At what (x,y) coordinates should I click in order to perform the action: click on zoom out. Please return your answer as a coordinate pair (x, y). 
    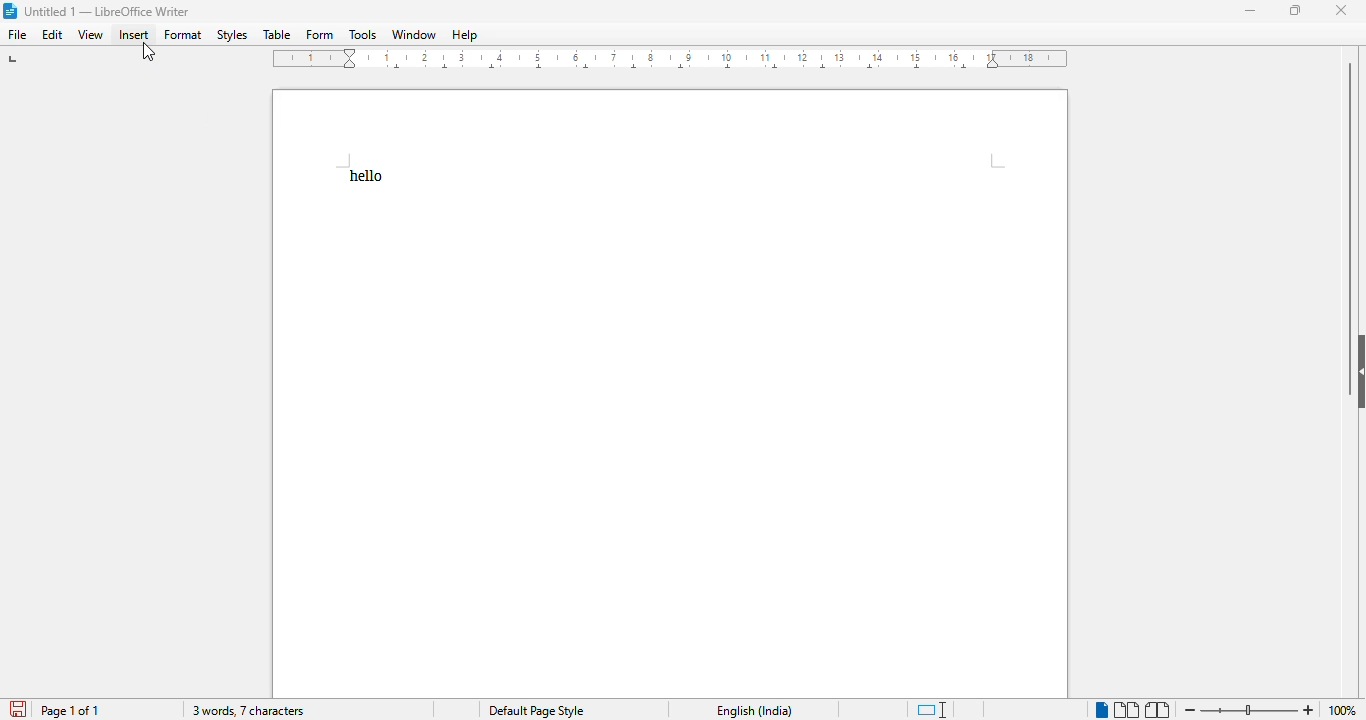
    Looking at the image, I should click on (1190, 709).